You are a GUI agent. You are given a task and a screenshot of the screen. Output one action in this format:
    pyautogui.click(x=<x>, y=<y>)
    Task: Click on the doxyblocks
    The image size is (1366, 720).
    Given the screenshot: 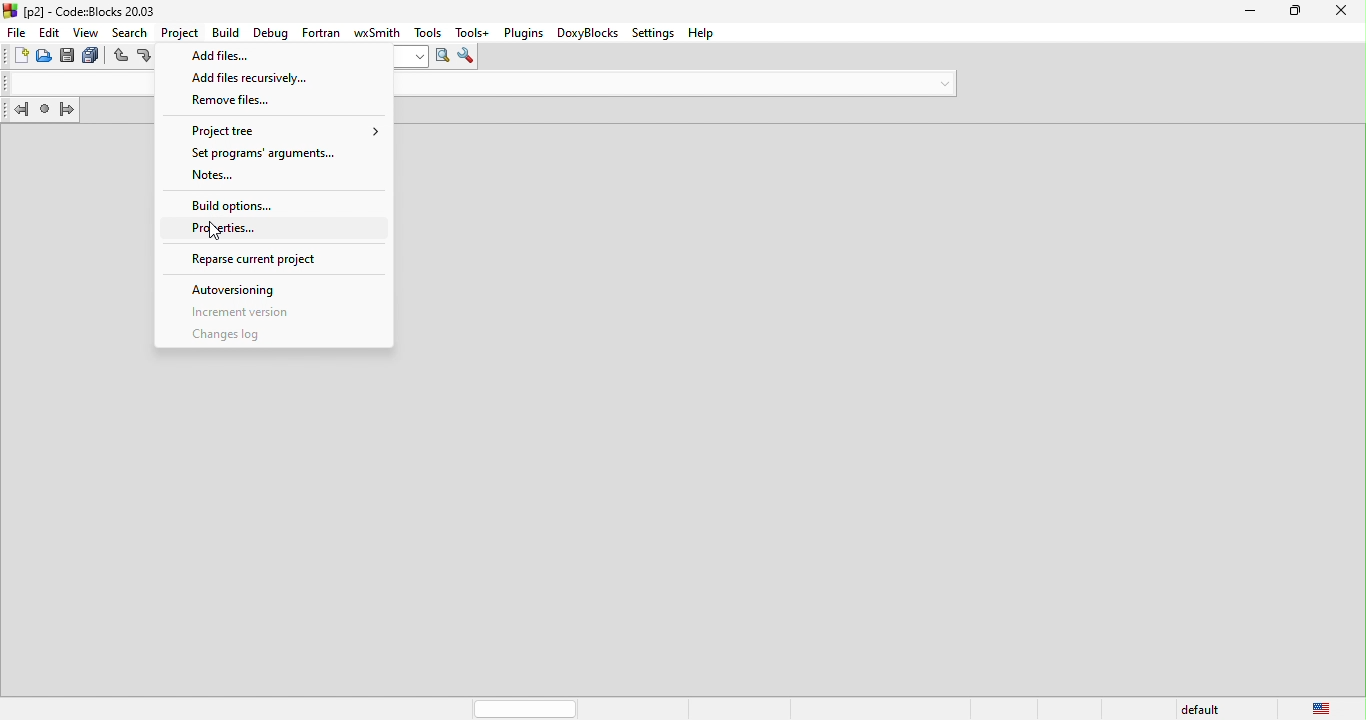 What is the action you would take?
    pyautogui.click(x=584, y=33)
    